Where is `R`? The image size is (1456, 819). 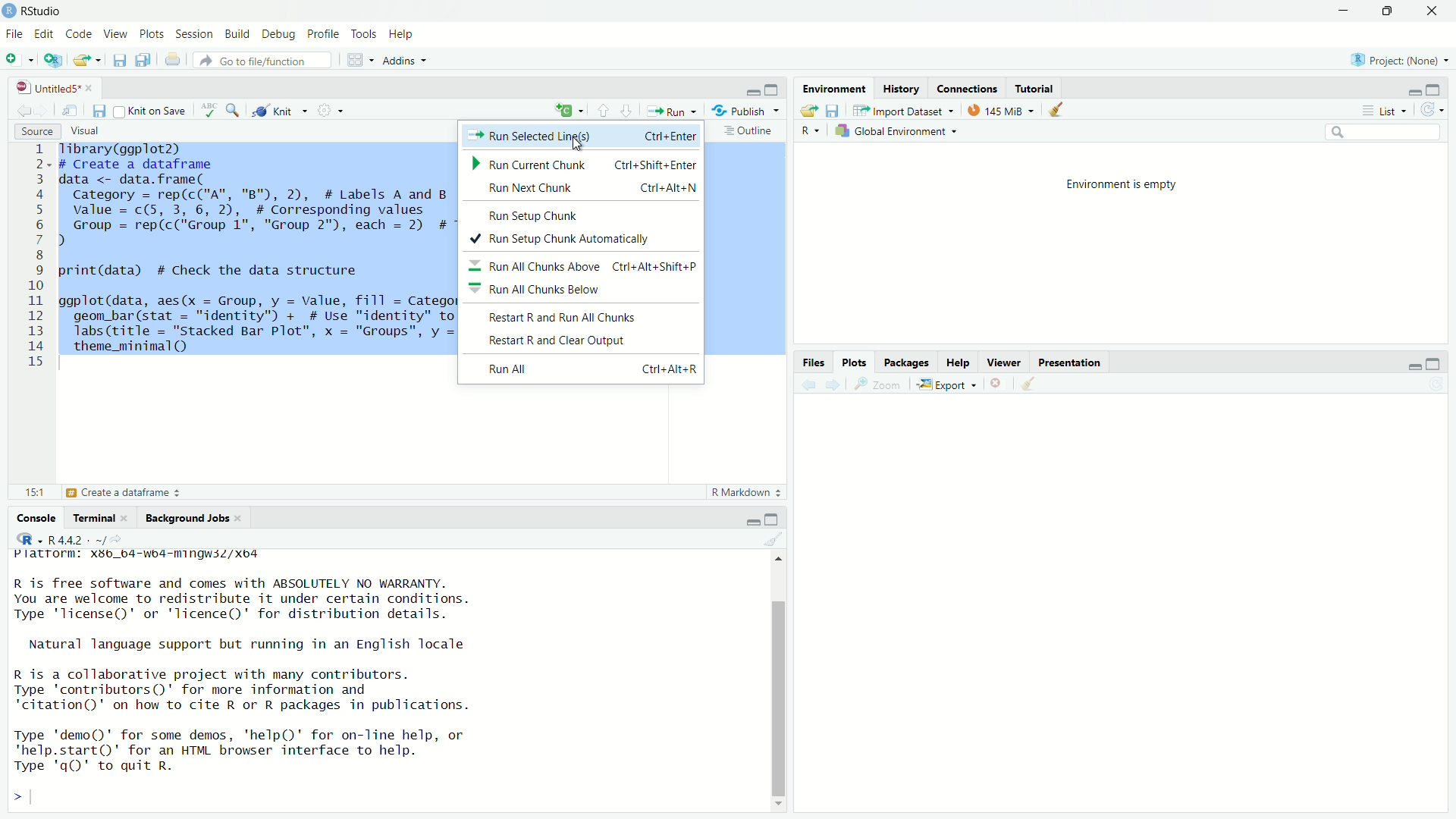
R is located at coordinates (29, 538).